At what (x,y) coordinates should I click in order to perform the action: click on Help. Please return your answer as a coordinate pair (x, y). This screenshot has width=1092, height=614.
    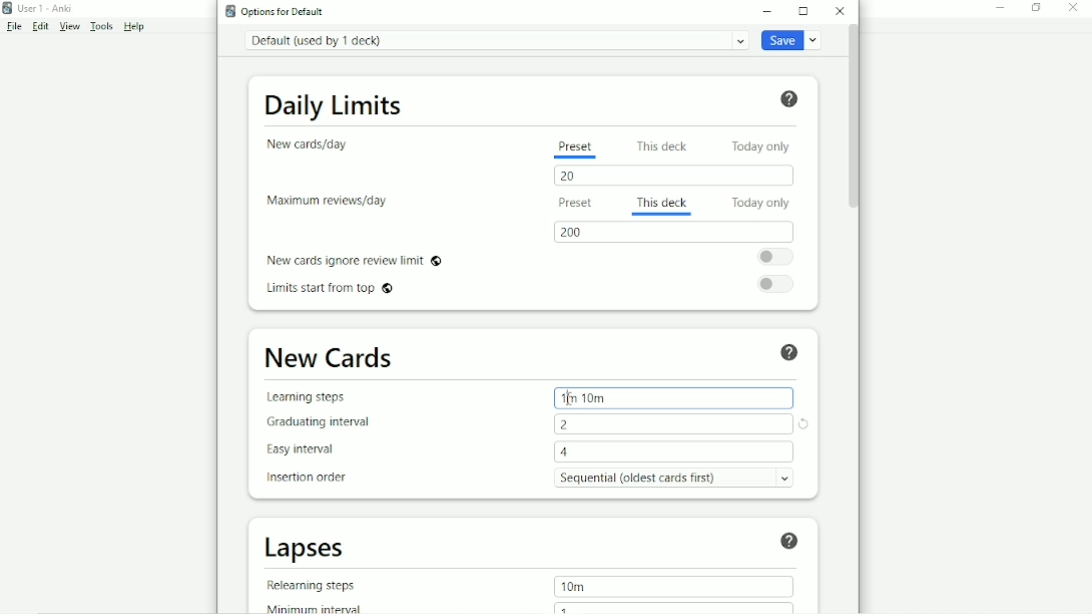
    Looking at the image, I should click on (792, 353).